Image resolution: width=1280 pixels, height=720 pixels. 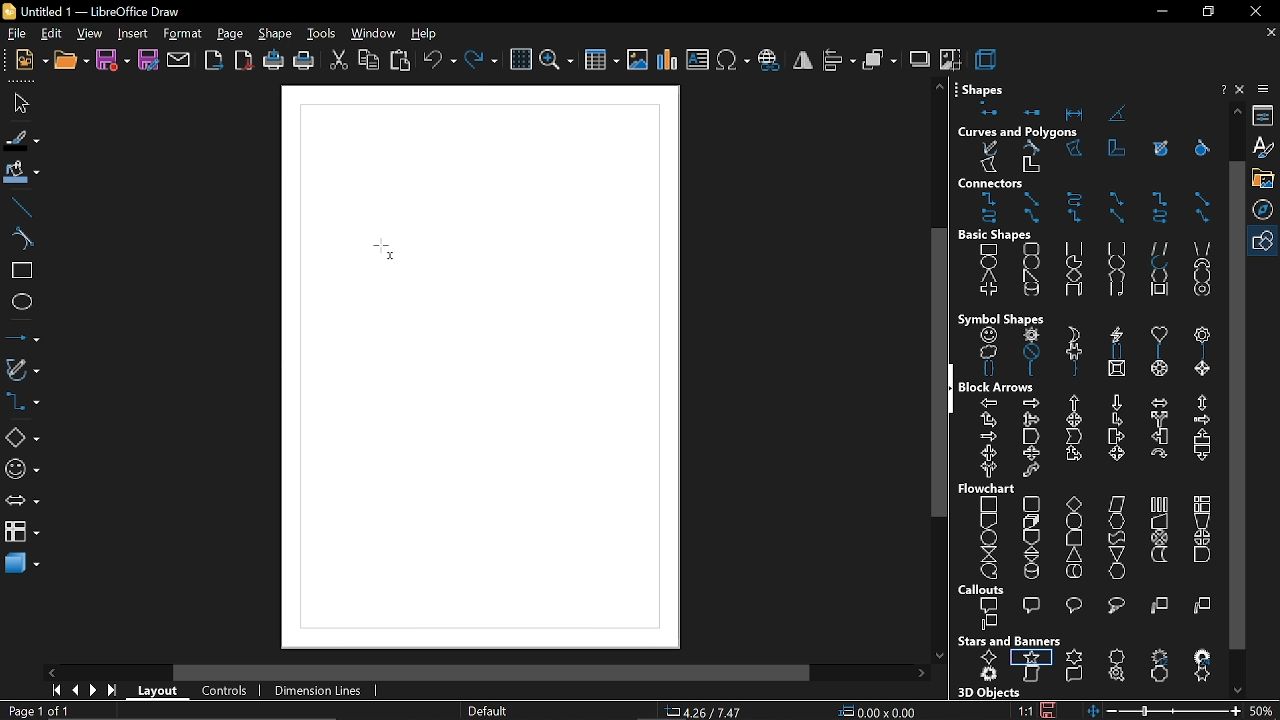 What do you see at coordinates (148, 61) in the screenshot?
I see `save as` at bounding box center [148, 61].